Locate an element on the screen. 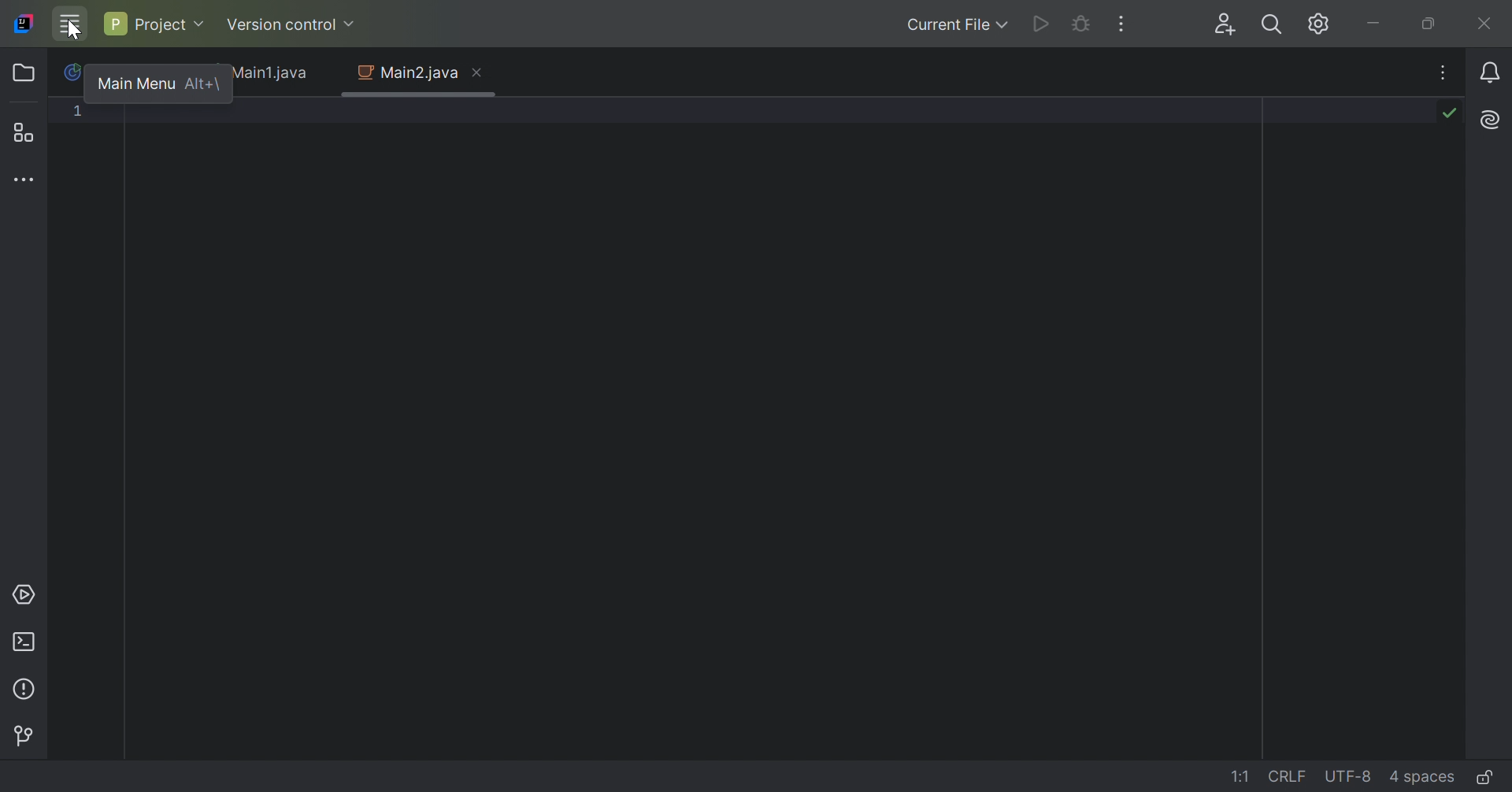 The width and height of the screenshot is (1512, 792). Make file read-only is located at coordinates (1484, 779).